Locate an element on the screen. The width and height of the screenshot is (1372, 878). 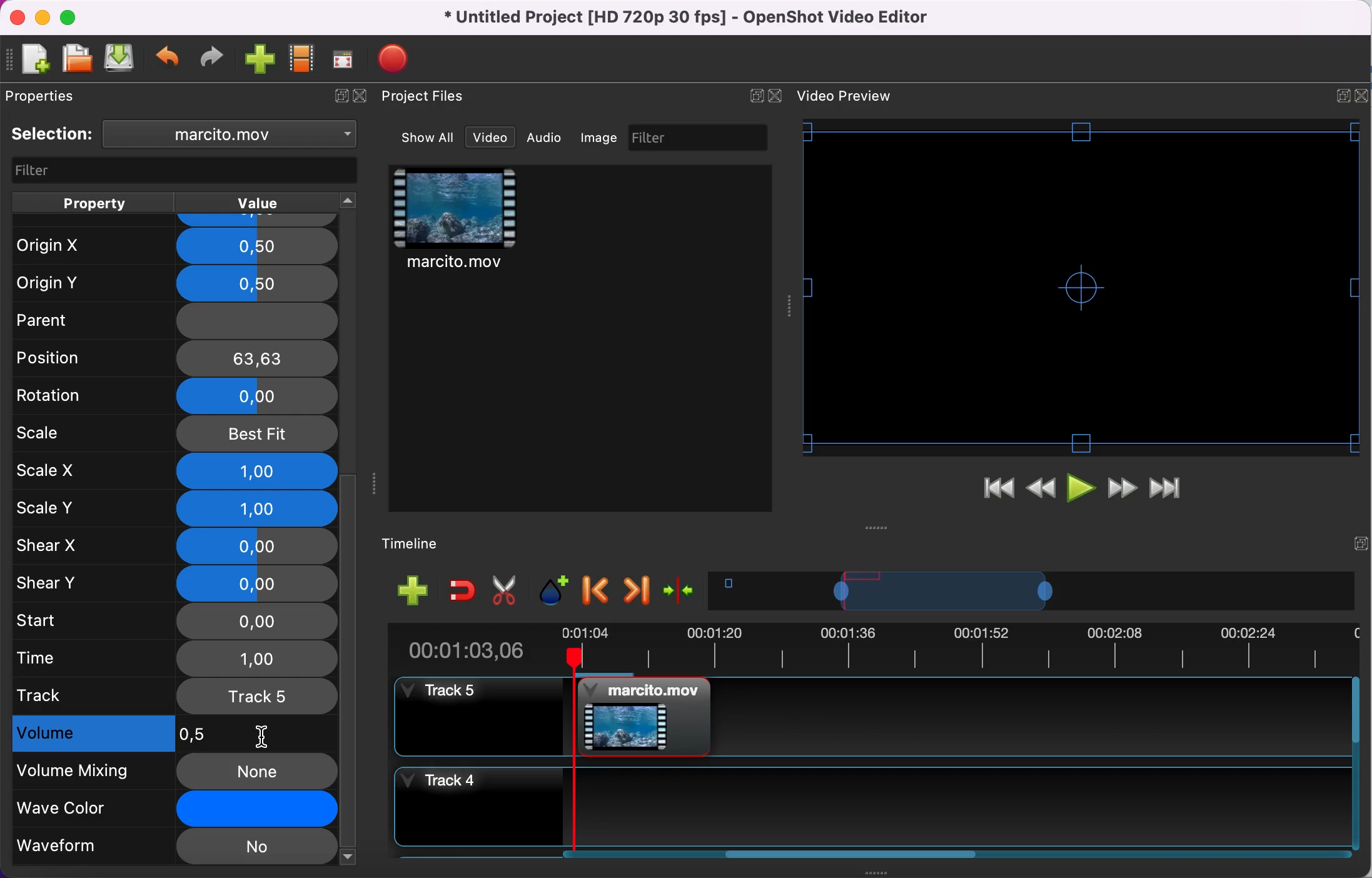
image is located at coordinates (600, 138).